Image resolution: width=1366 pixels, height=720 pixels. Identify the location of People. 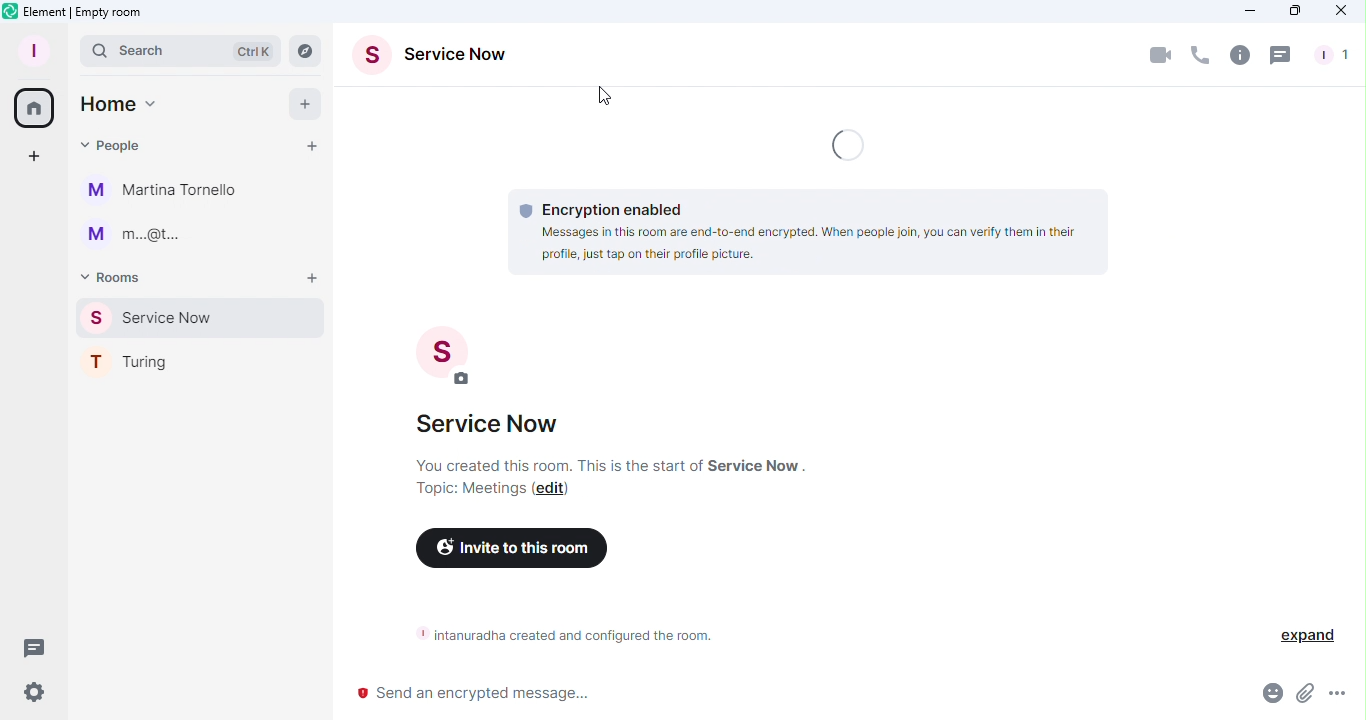
(114, 142).